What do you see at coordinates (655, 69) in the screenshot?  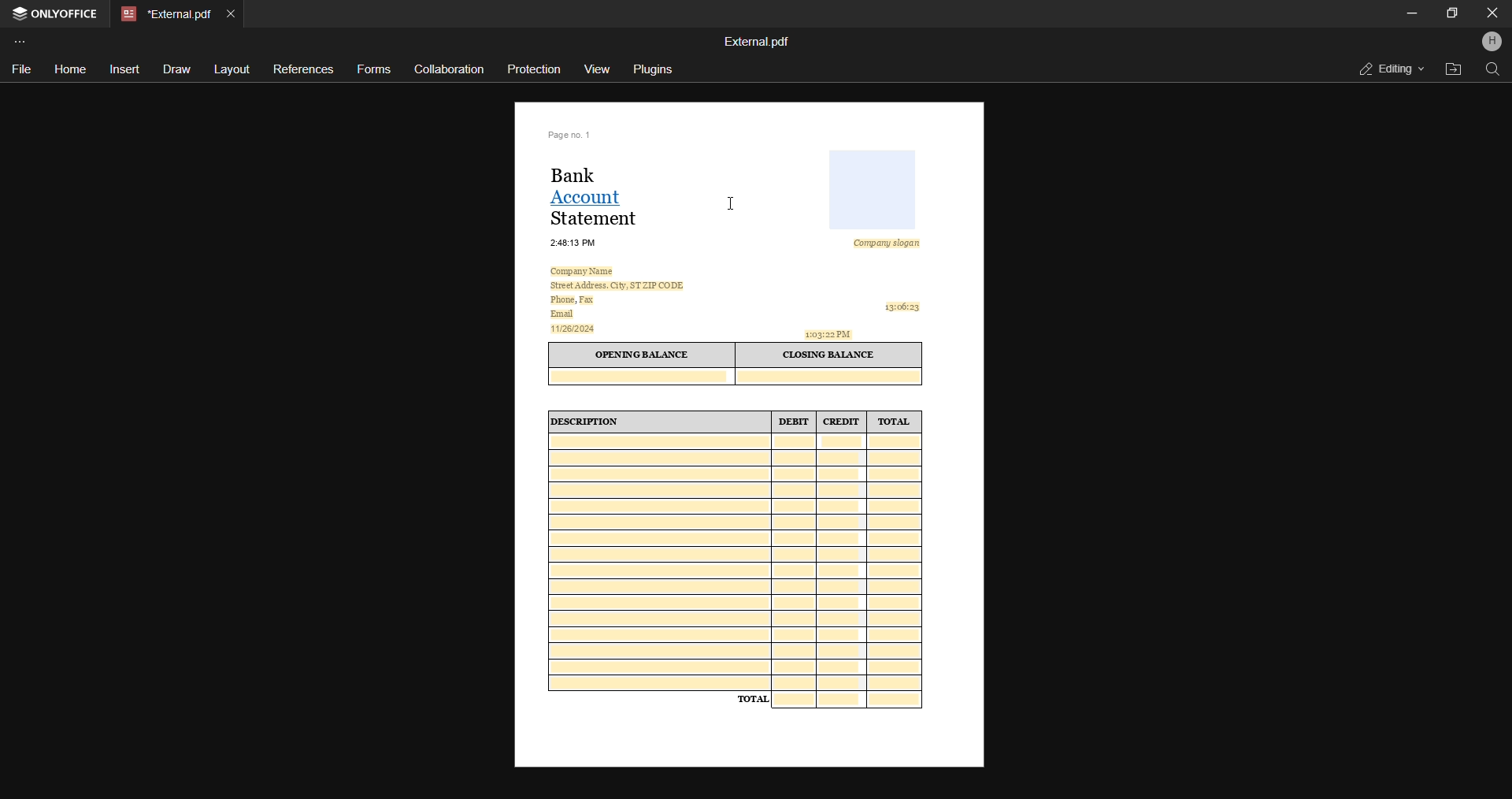 I see `plugins` at bounding box center [655, 69].